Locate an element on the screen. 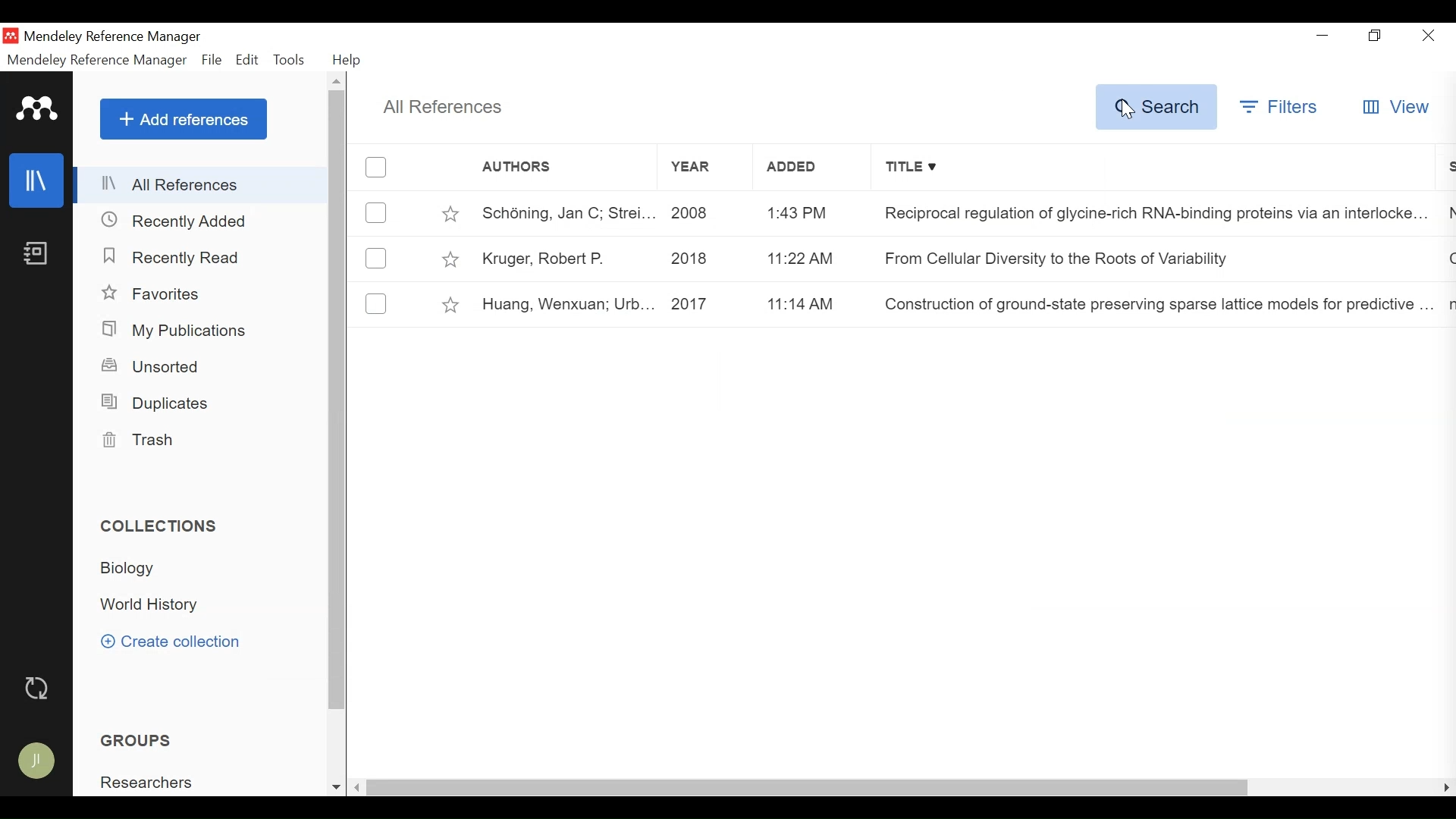 Image resolution: width=1456 pixels, height=819 pixels. Recently Read is located at coordinates (172, 257).